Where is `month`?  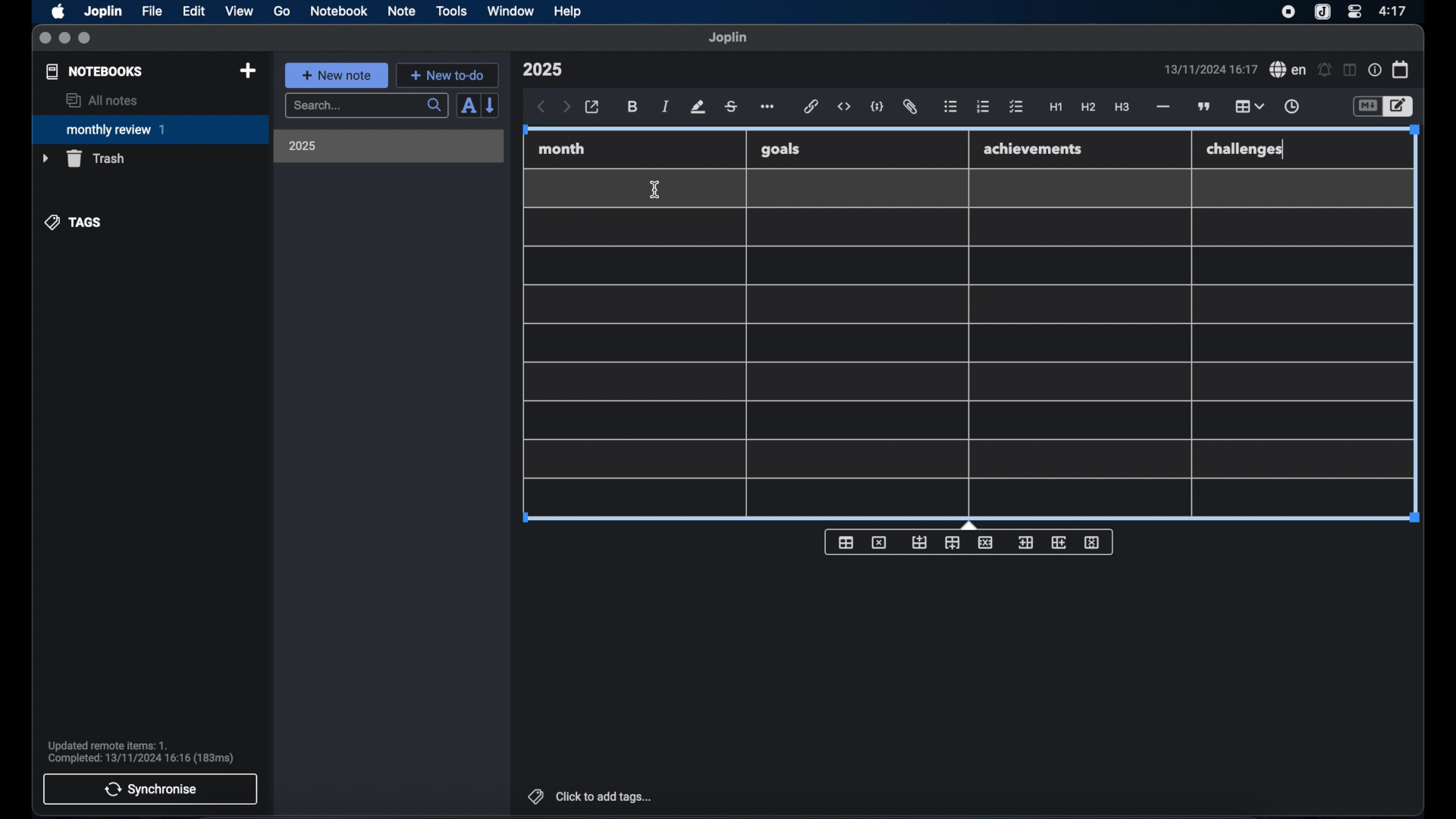
month is located at coordinates (562, 149).